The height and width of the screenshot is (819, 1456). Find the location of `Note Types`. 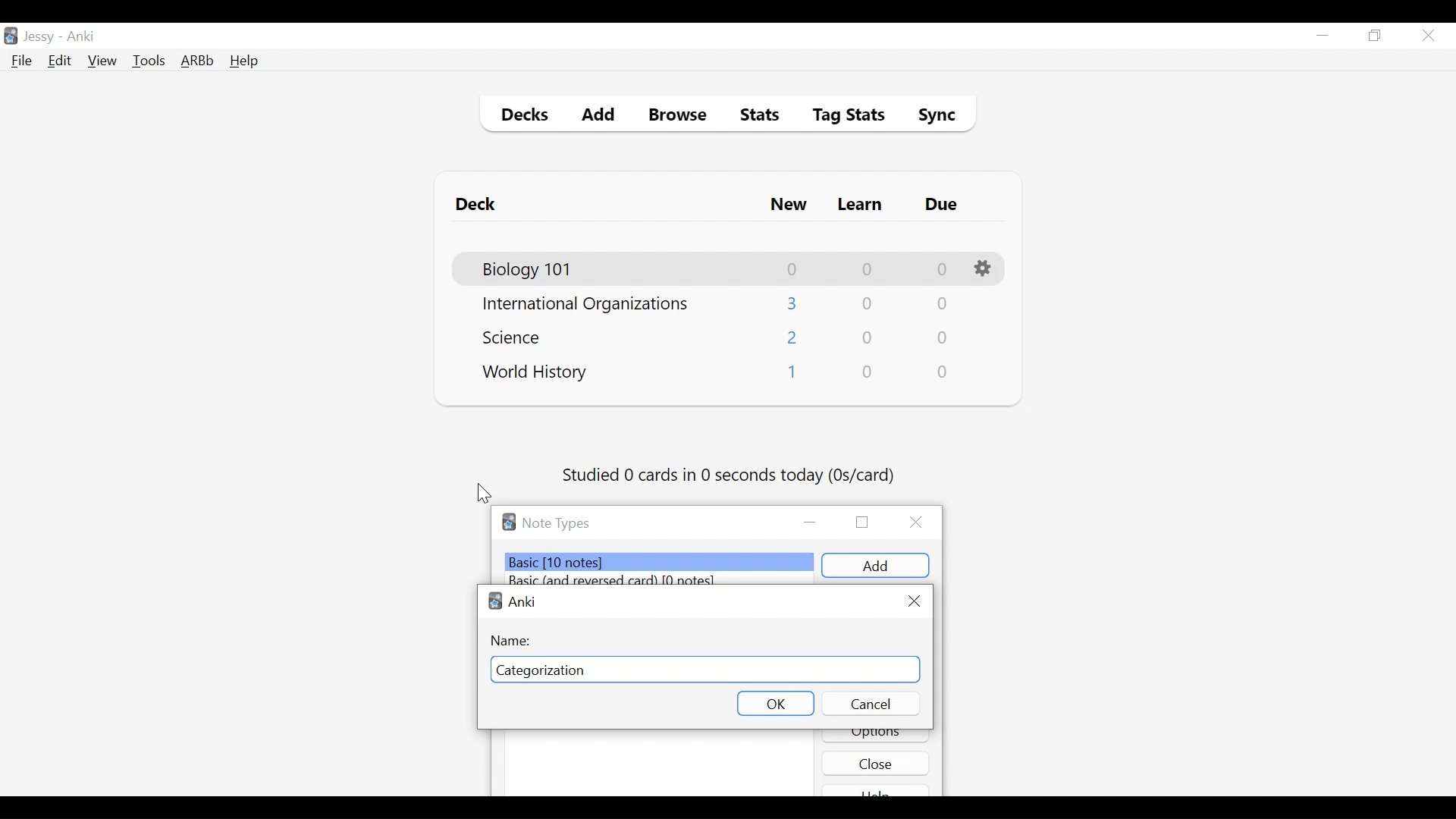

Note Types is located at coordinates (556, 523).